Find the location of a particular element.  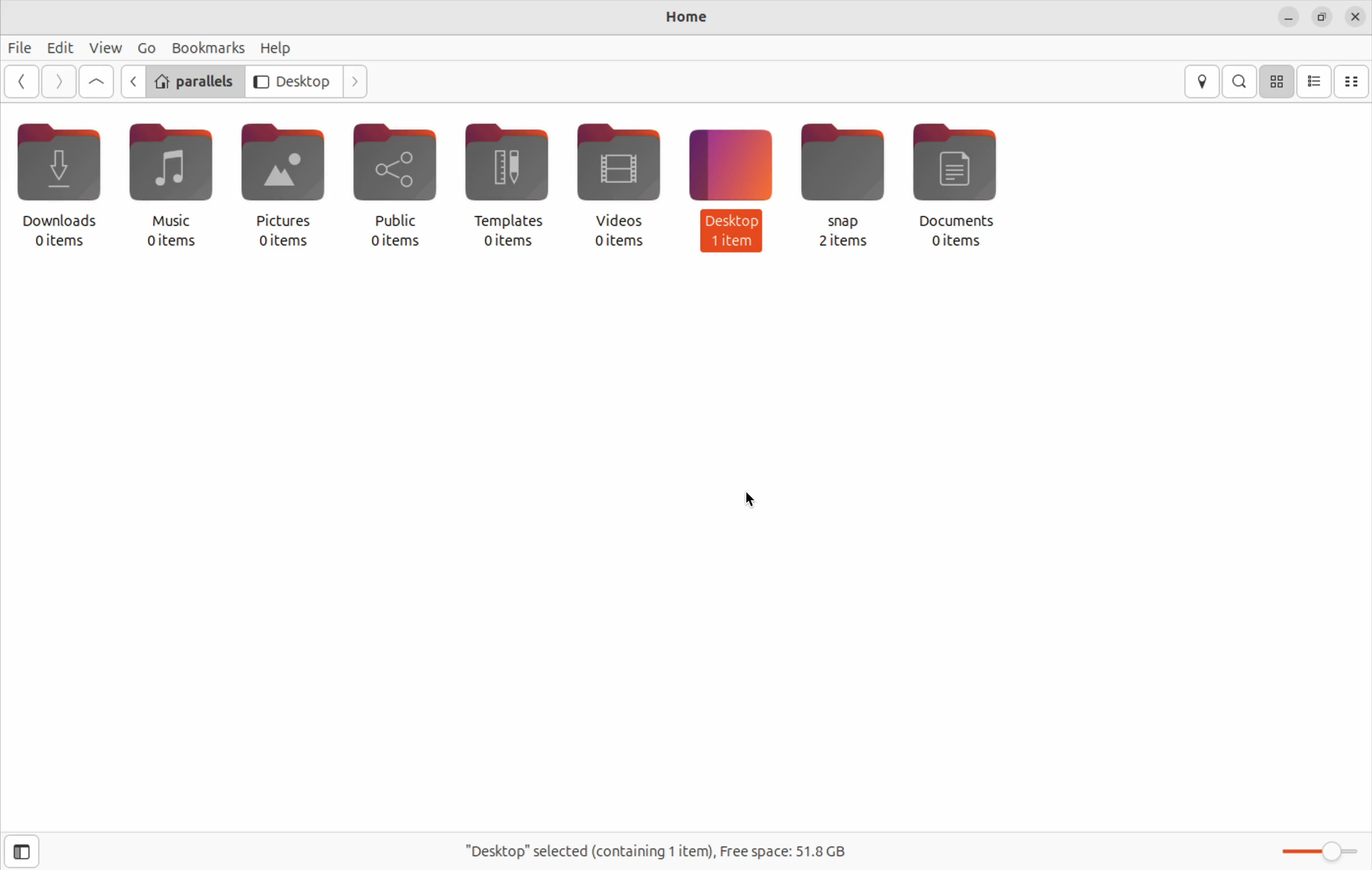

compact view is located at coordinates (1354, 80).